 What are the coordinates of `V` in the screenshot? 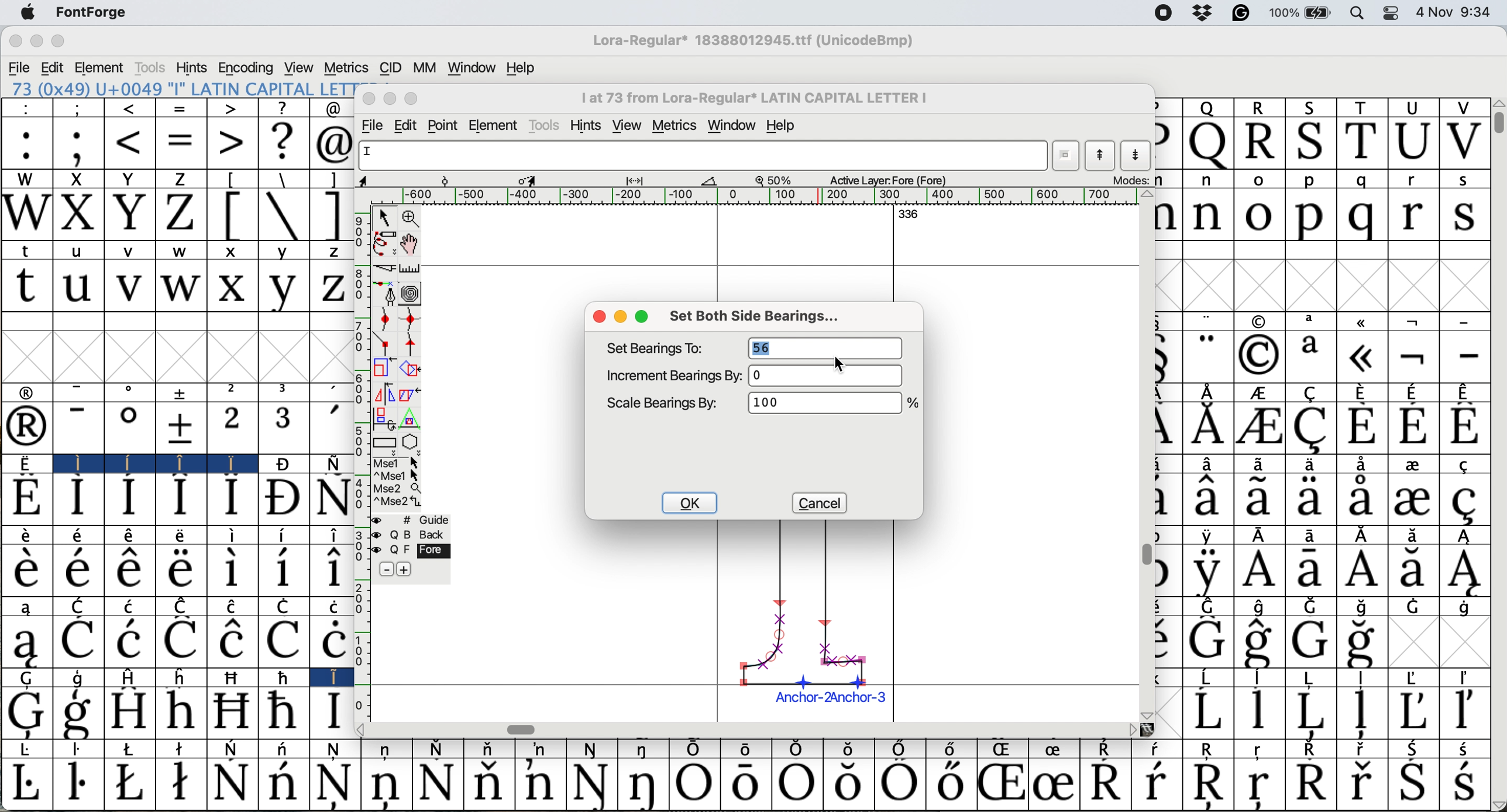 It's located at (1464, 142).